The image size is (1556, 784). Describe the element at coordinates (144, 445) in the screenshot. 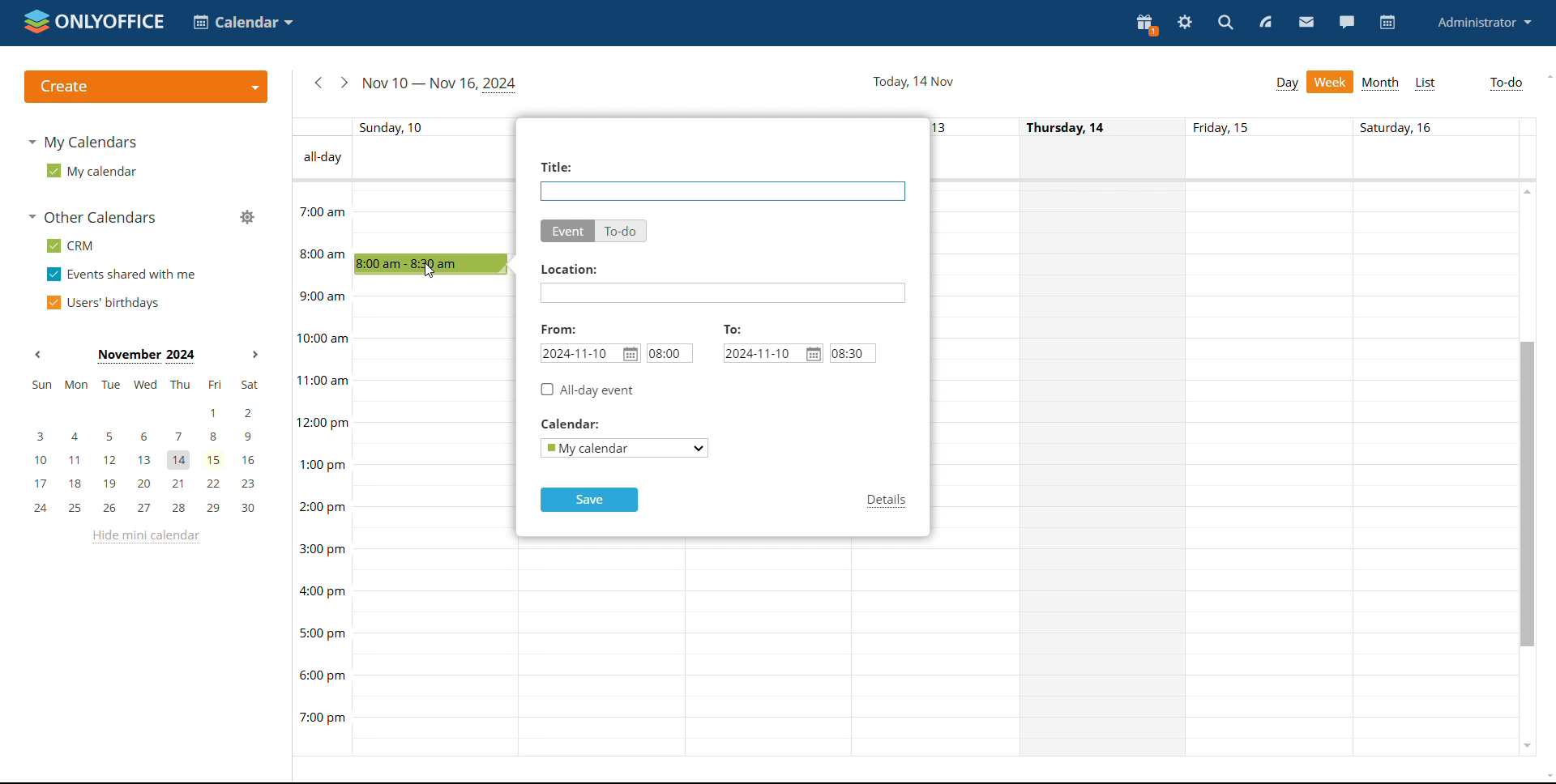

I see `mini calendar` at that location.